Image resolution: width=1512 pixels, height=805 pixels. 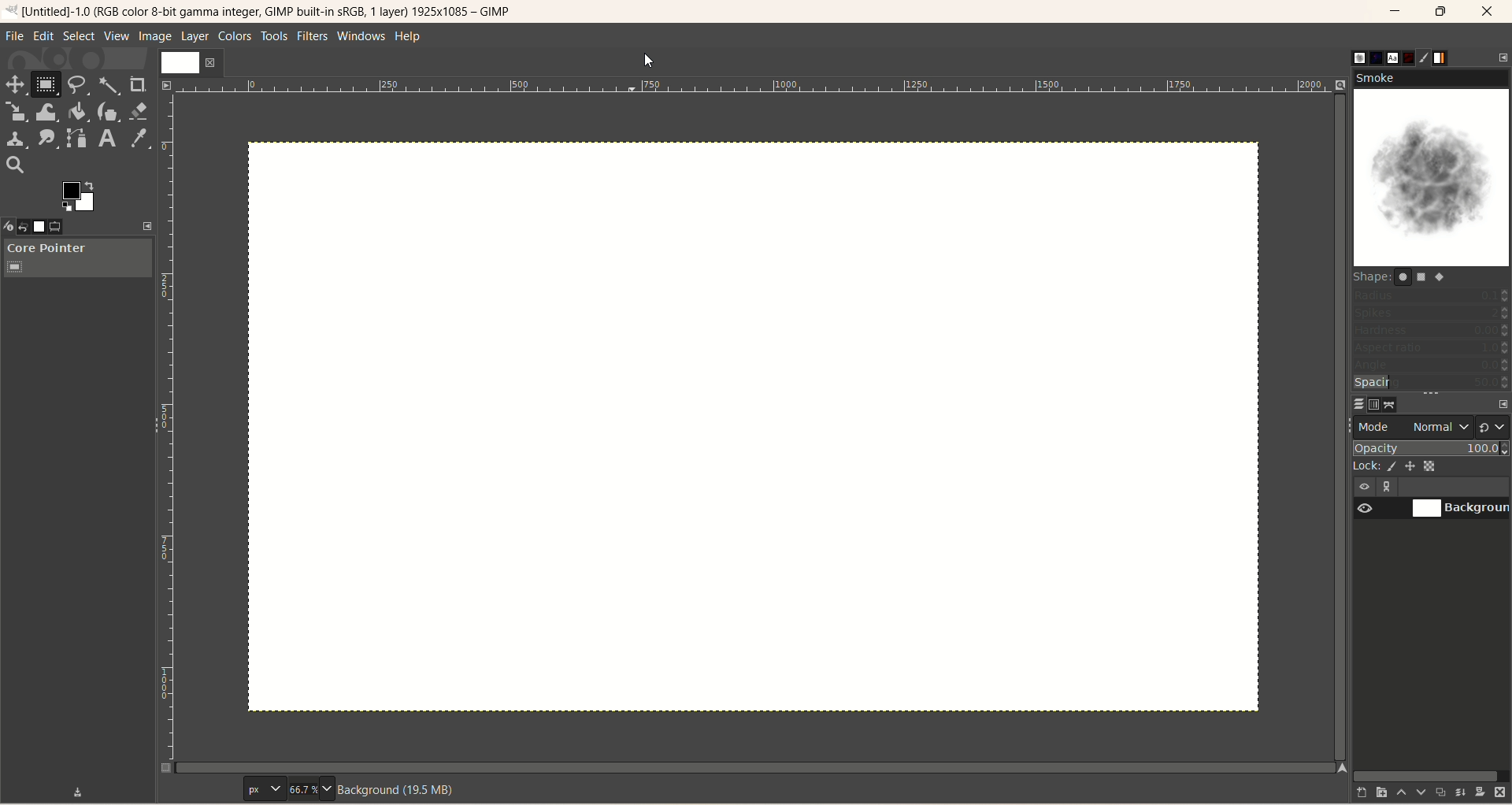 What do you see at coordinates (271, 11) in the screenshot?
I see `file name` at bounding box center [271, 11].